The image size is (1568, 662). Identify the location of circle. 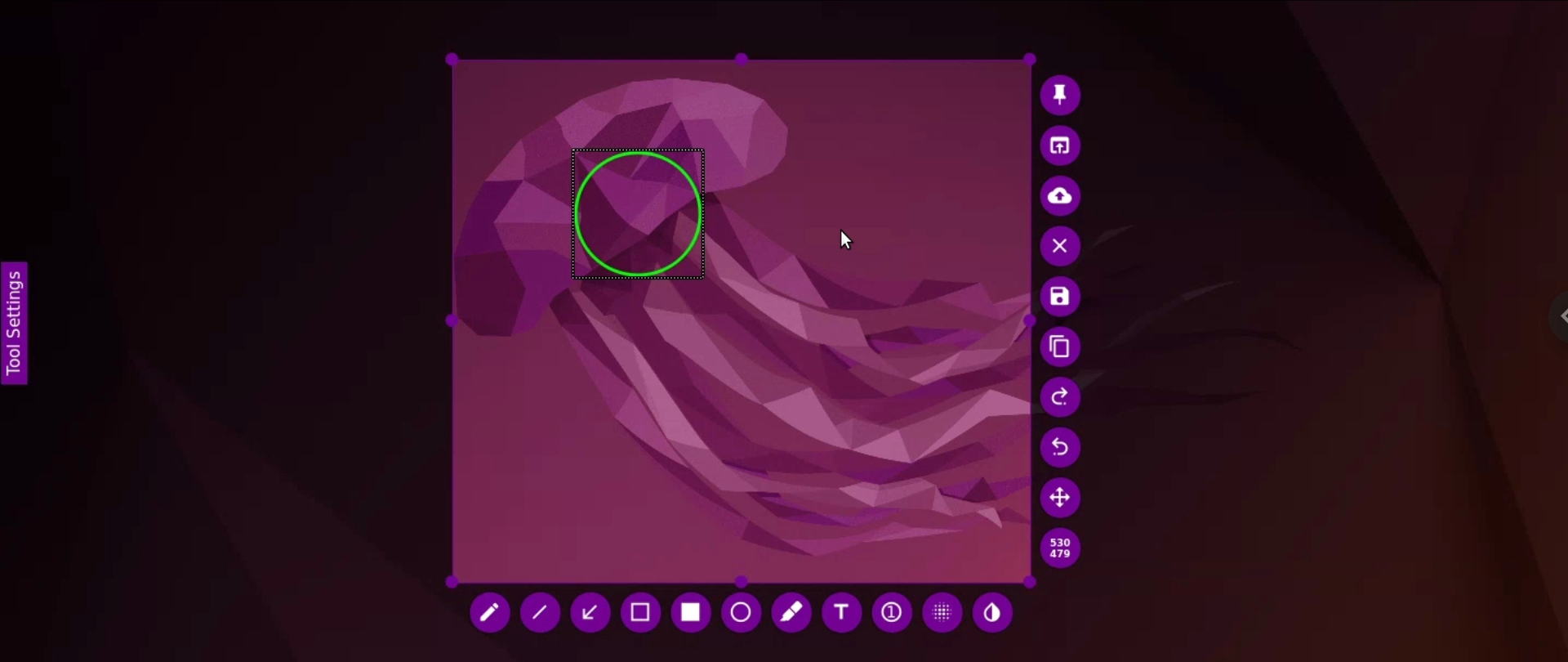
(742, 611).